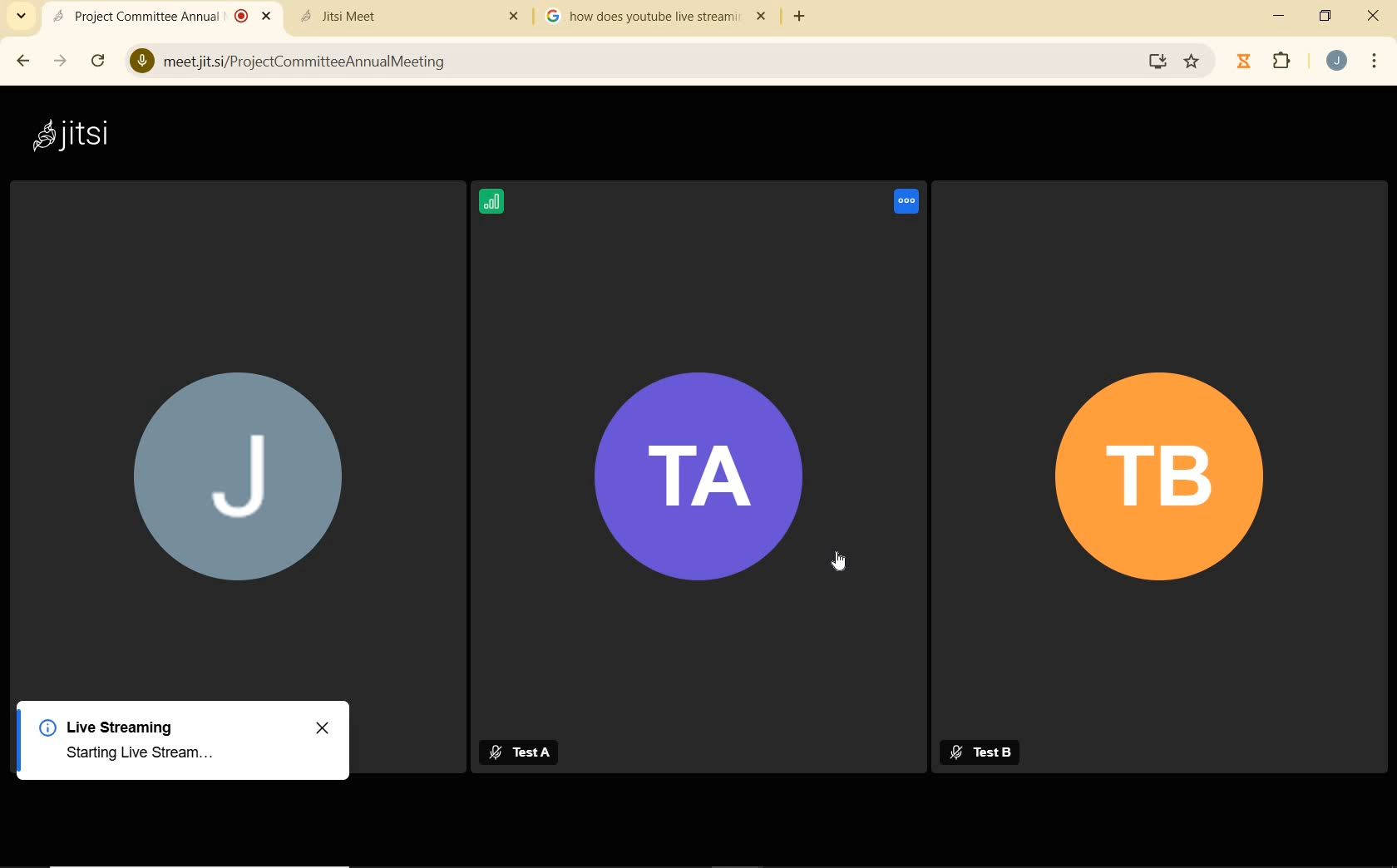 Image resolution: width=1397 pixels, height=868 pixels. What do you see at coordinates (103, 63) in the screenshot?
I see `reload` at bounding box center [103, 63].